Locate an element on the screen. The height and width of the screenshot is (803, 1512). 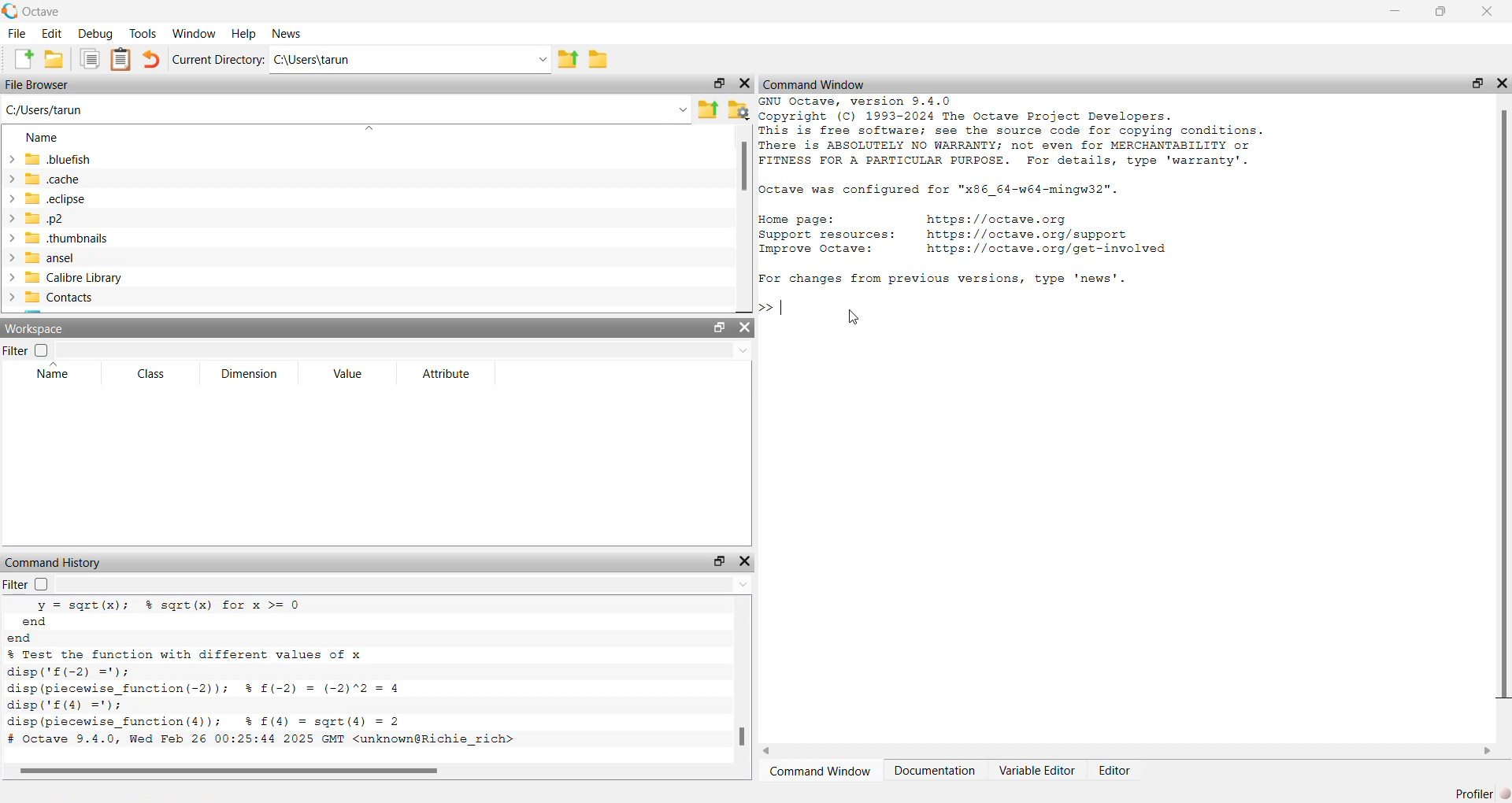
Scrollbar is located at coordinates (744, 170).